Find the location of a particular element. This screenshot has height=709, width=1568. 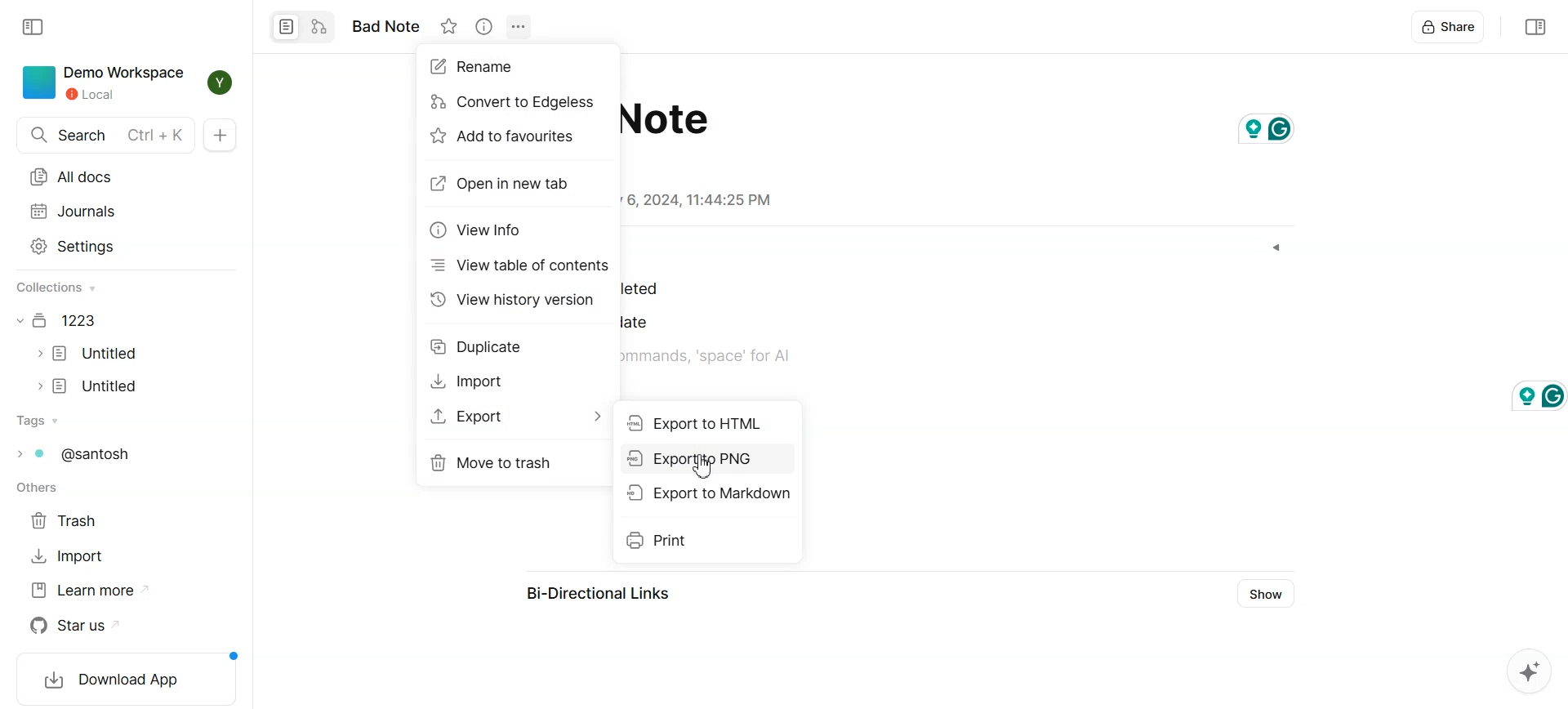

Rename is located at coordinates (483, 67).